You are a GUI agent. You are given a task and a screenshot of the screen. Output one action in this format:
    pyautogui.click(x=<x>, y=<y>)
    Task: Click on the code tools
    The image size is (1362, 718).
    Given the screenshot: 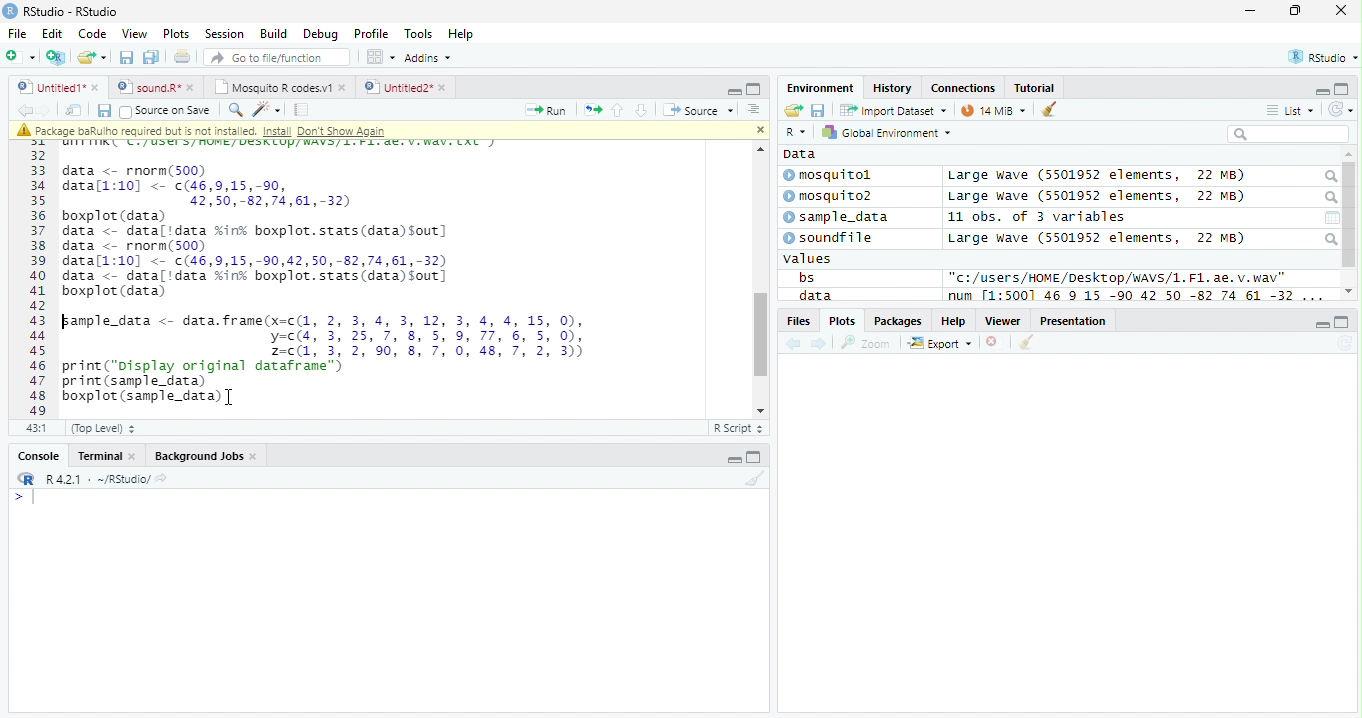 What is the action you would take?
    pyautogui.click(x=267, y=110)
    